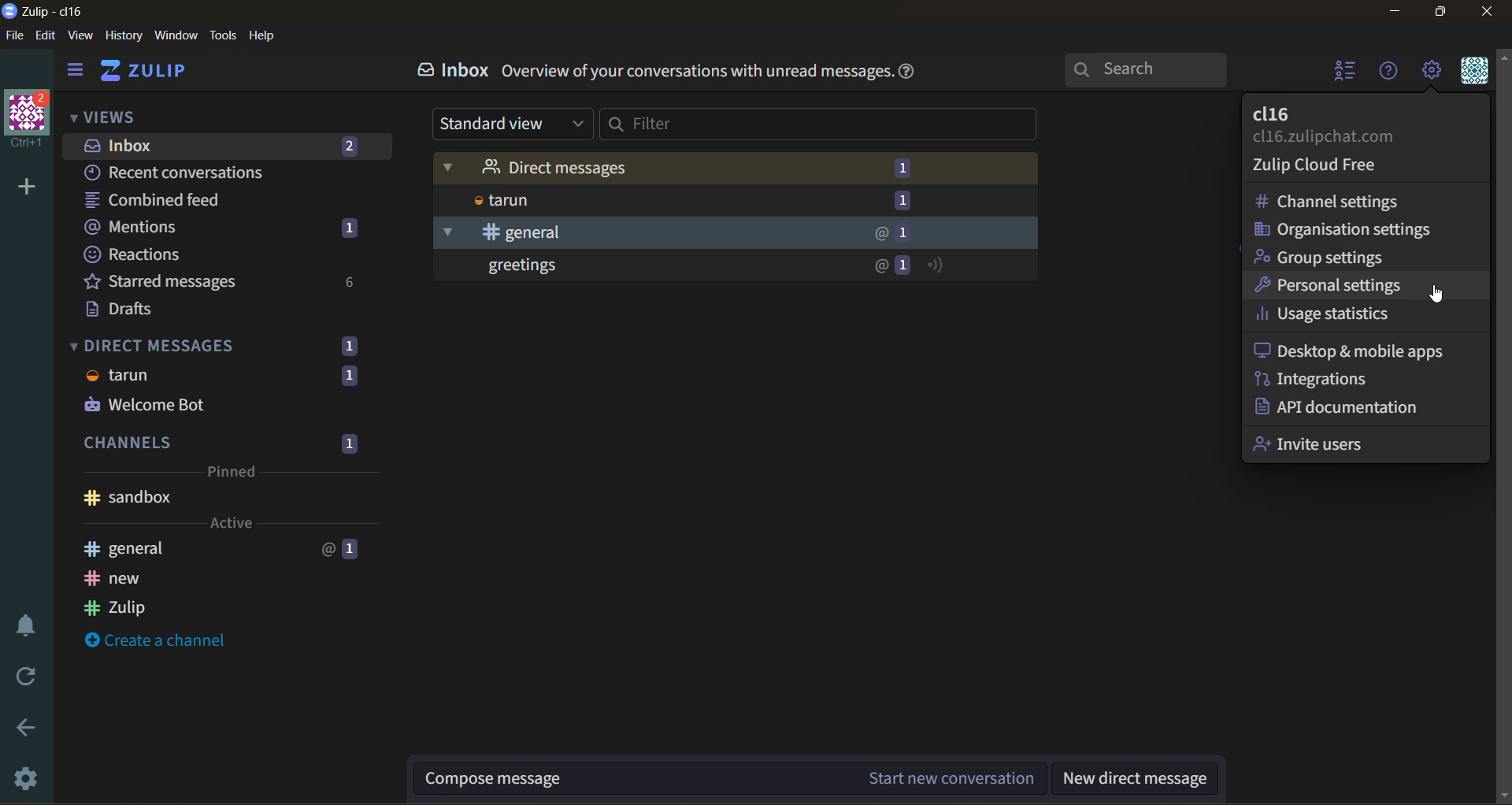  Describe the element at coordinates (220, 550) in the screenshot. I see `general` at that location.